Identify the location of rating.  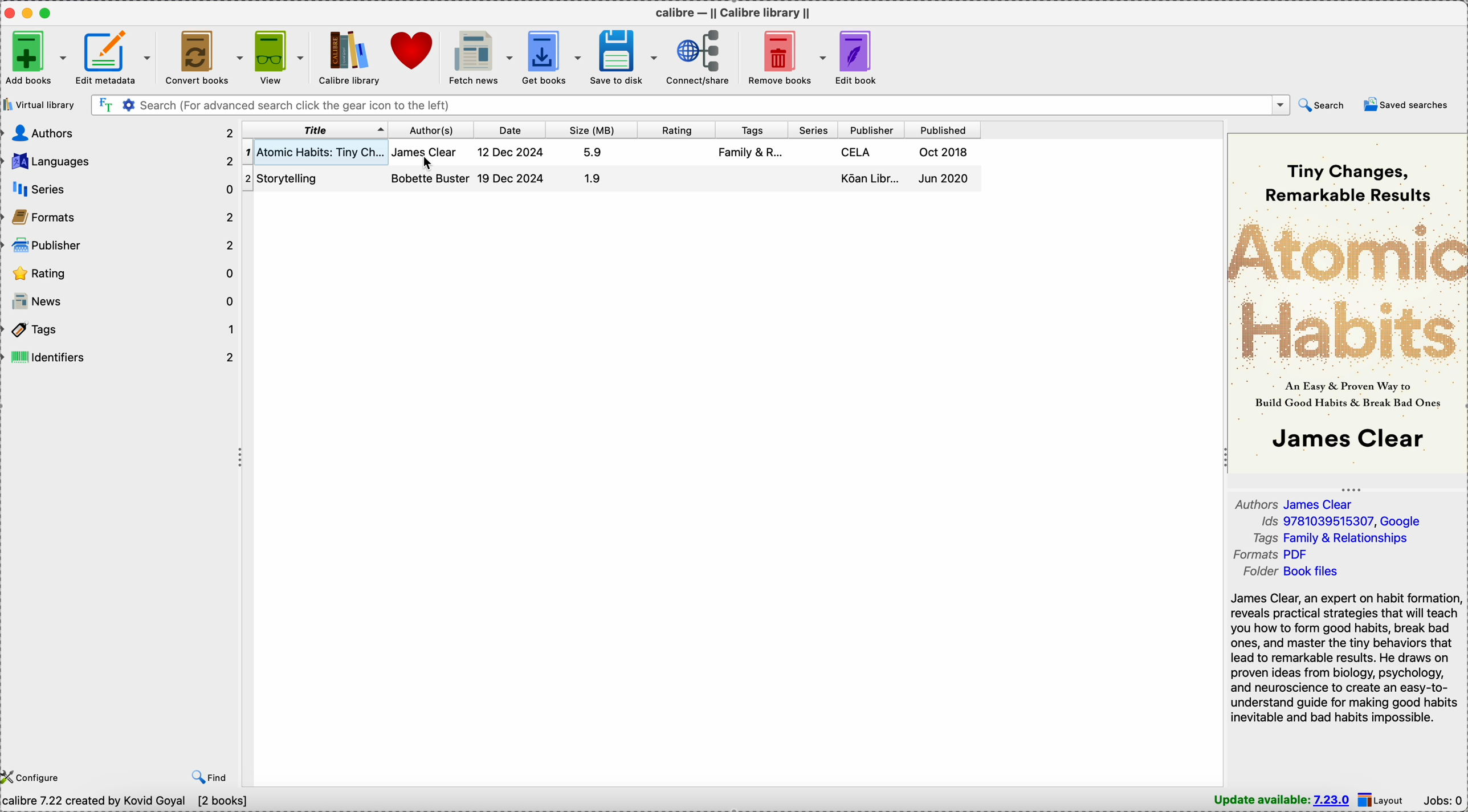
(674, 130).